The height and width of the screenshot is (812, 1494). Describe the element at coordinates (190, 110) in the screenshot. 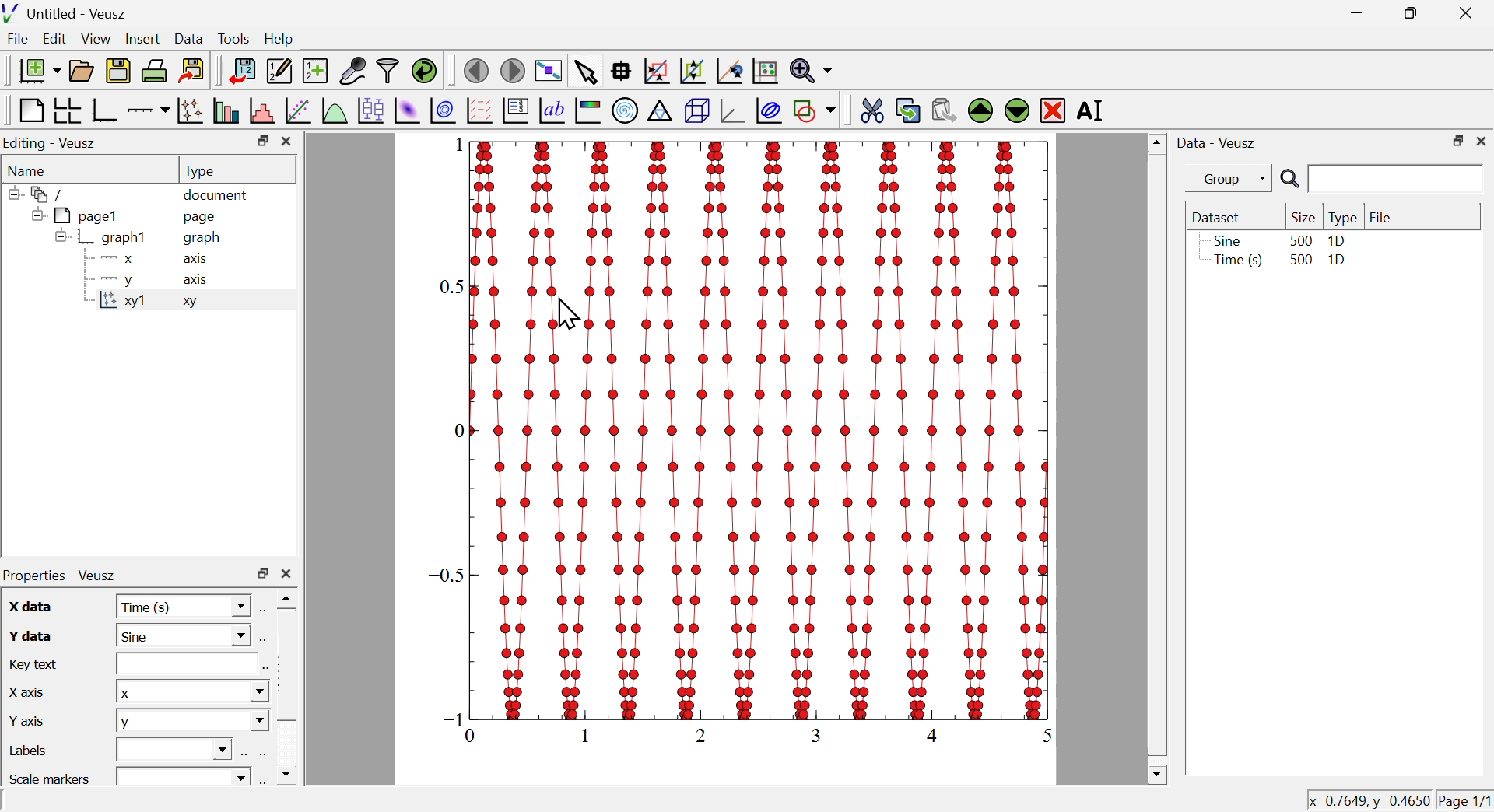

I see `plot points with lines and errorbars` at that location.